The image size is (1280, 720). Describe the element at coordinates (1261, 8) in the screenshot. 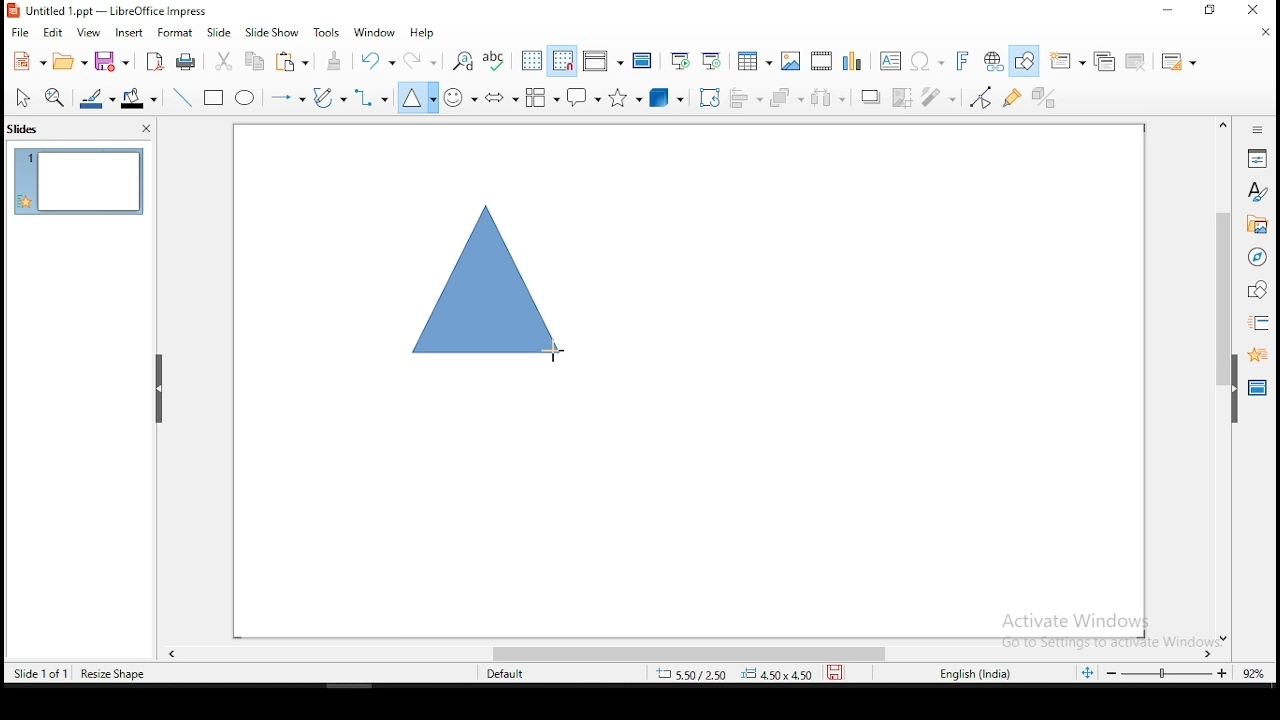

I see `close` at that location.